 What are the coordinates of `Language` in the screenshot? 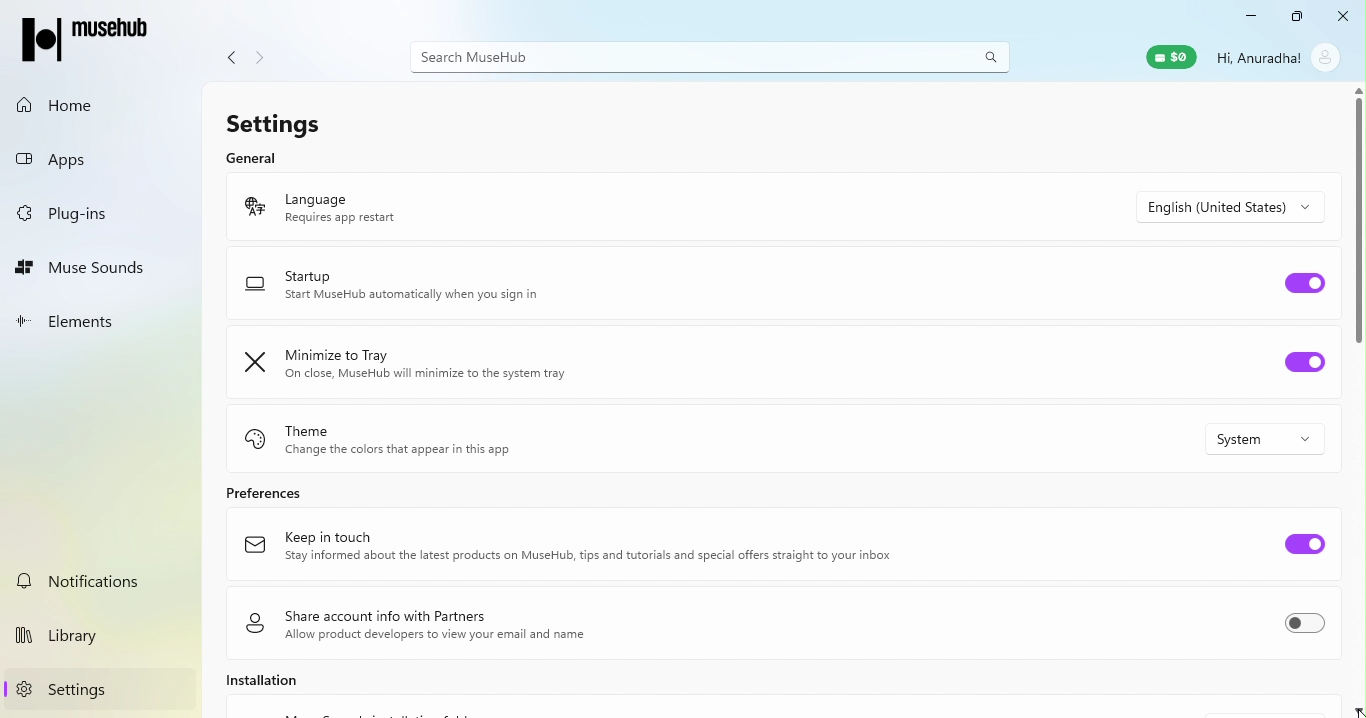 It's located at (397, 205).